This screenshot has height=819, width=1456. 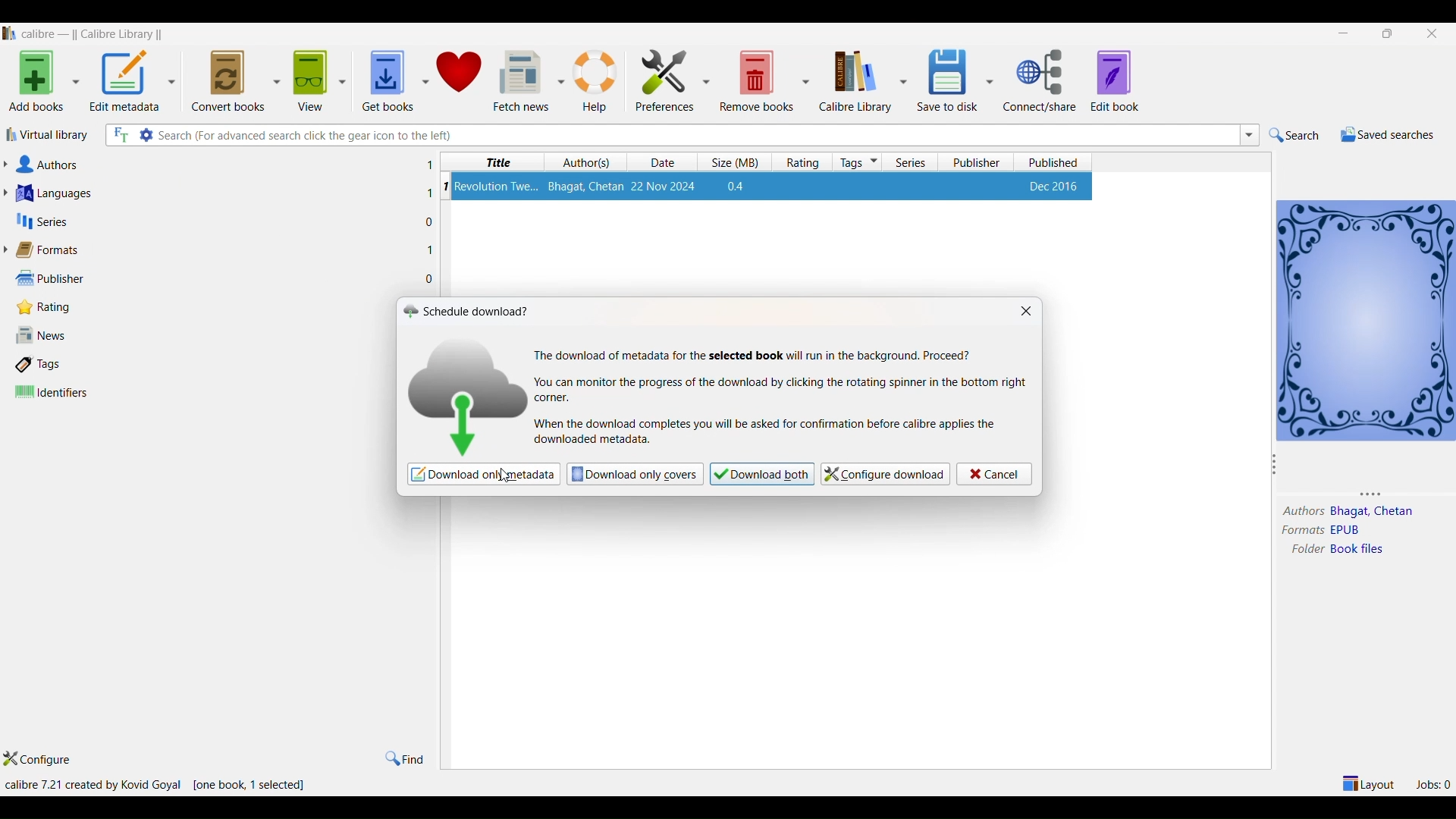 I want to click on calibre library, so click(x=855, y=80).